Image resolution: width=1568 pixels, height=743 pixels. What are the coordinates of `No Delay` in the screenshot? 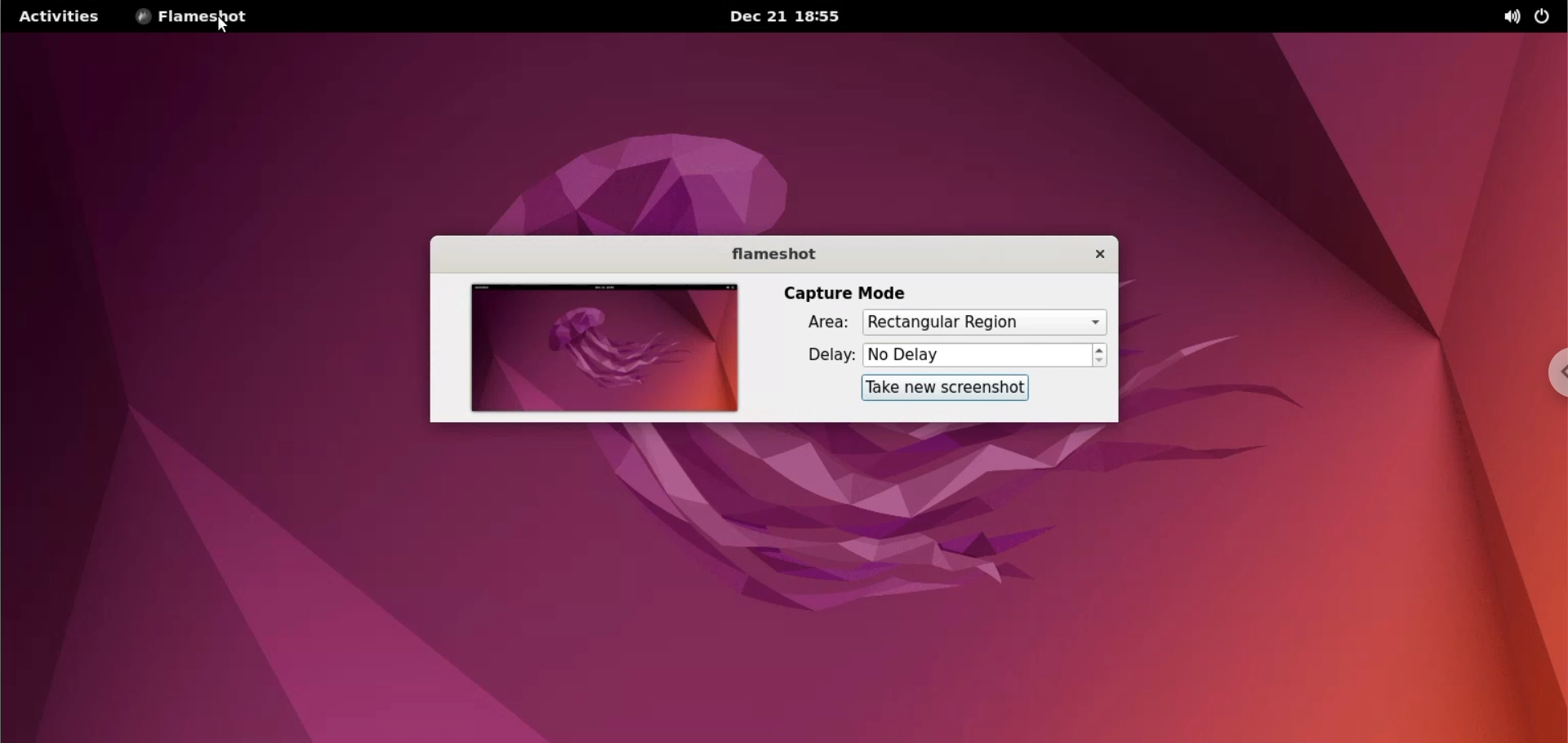 It's located at (977, 356).